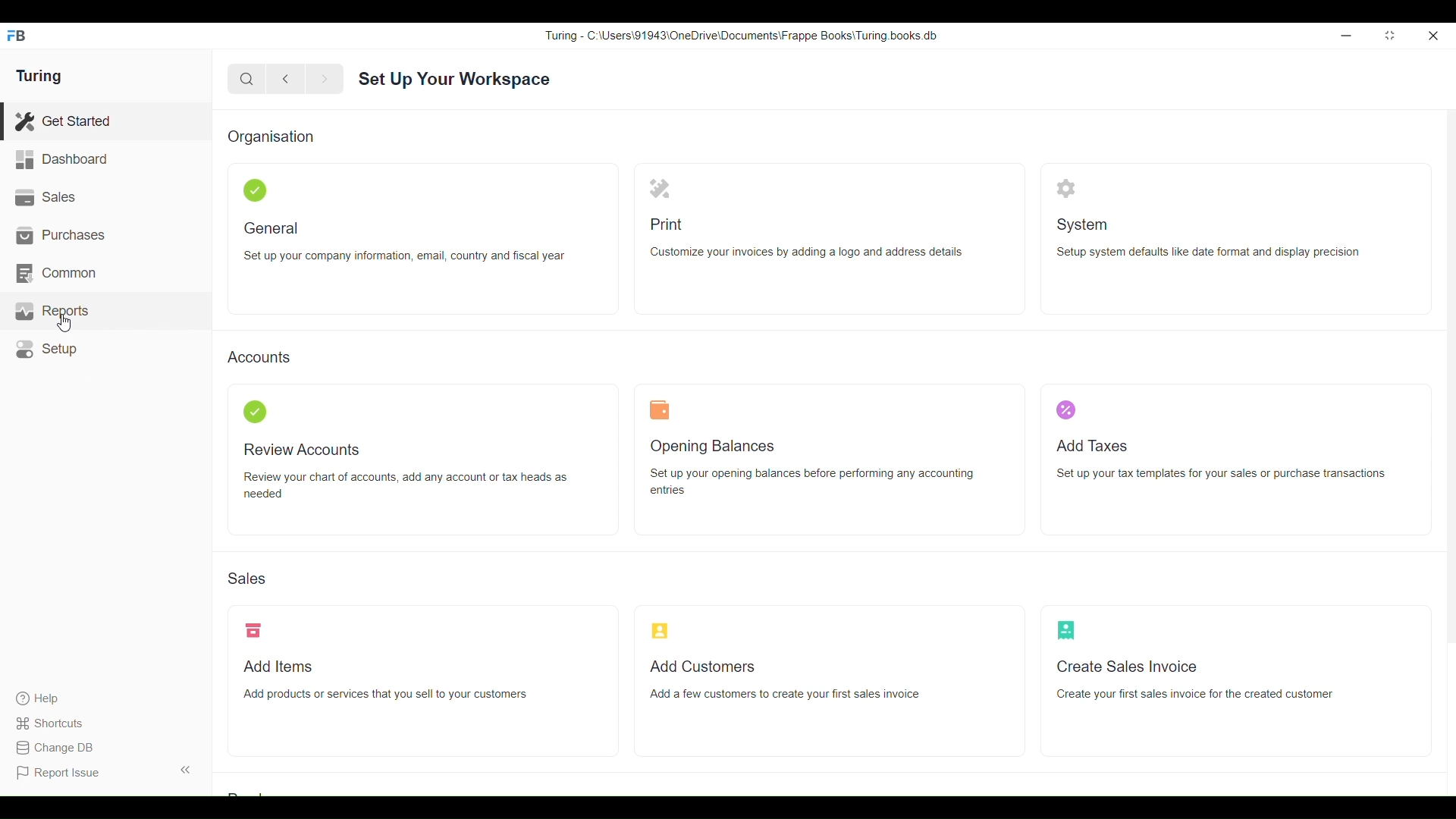 This screenshot has width=1456, height=819. I want to click on Accounts, so click(259, 356).